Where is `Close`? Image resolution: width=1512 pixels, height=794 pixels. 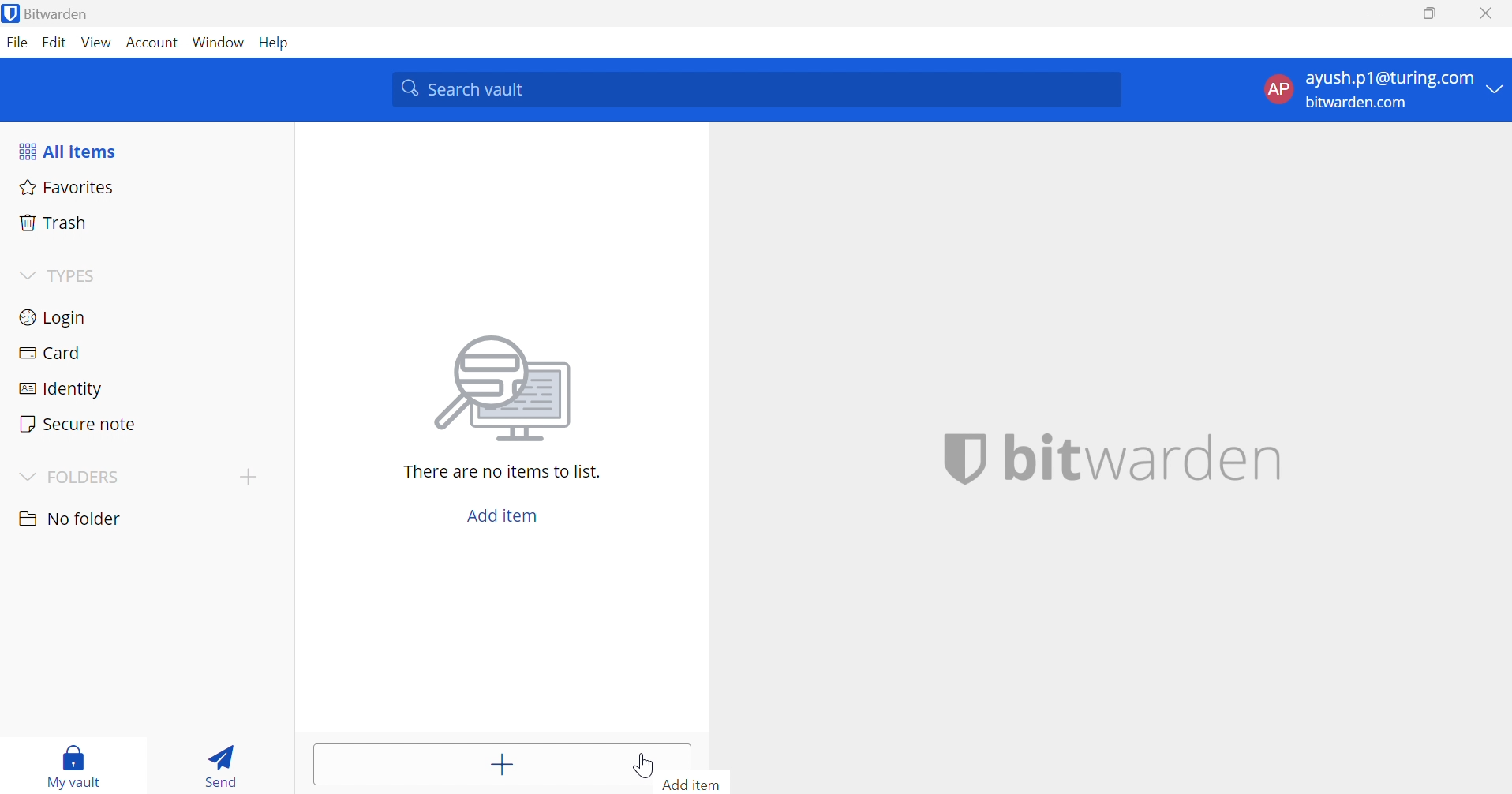
Close is located at coordinates (1484, 13).